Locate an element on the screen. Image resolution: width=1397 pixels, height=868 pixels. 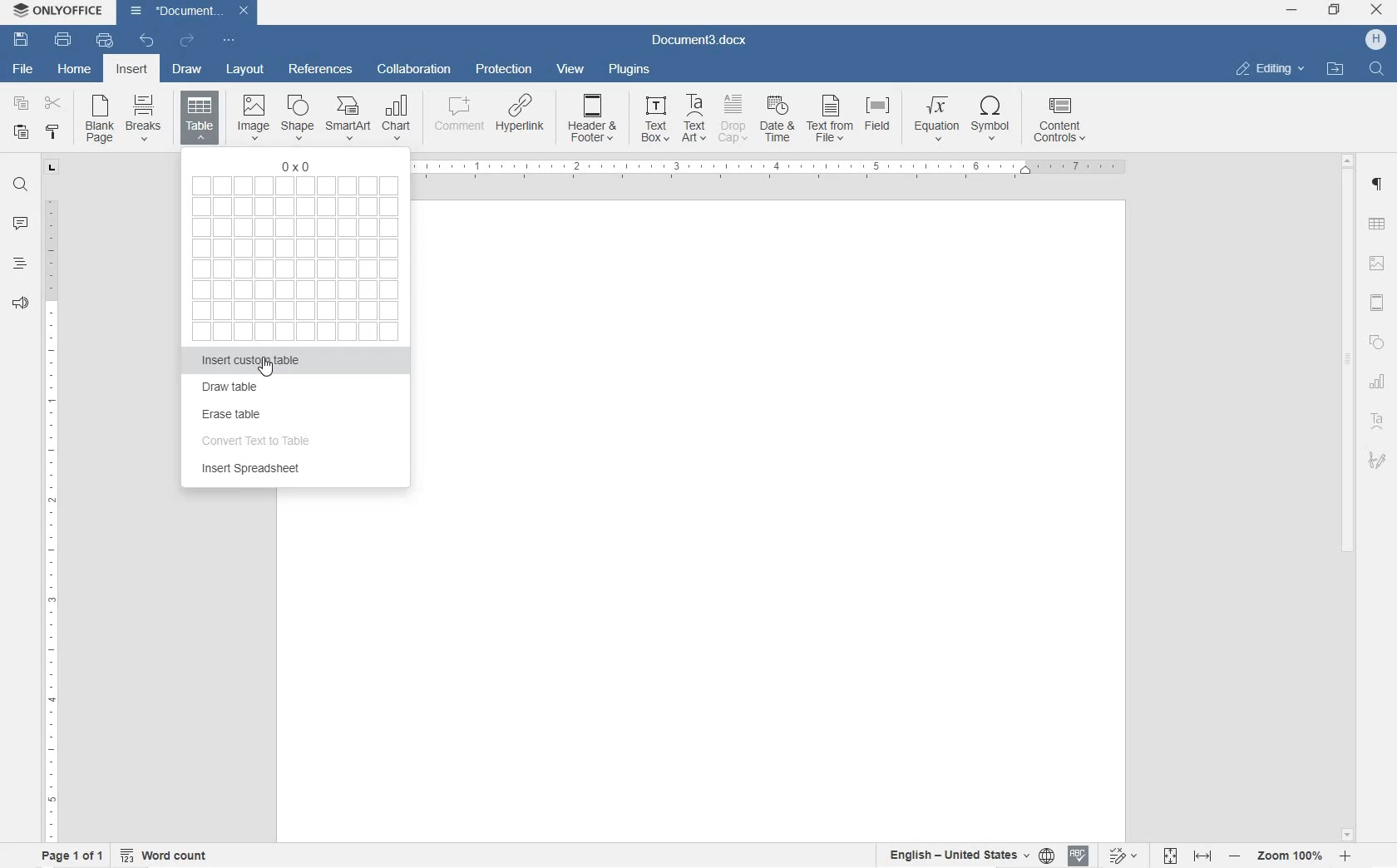
PARAGRAPH SETTINGS is located at coordinates (1380, 186).